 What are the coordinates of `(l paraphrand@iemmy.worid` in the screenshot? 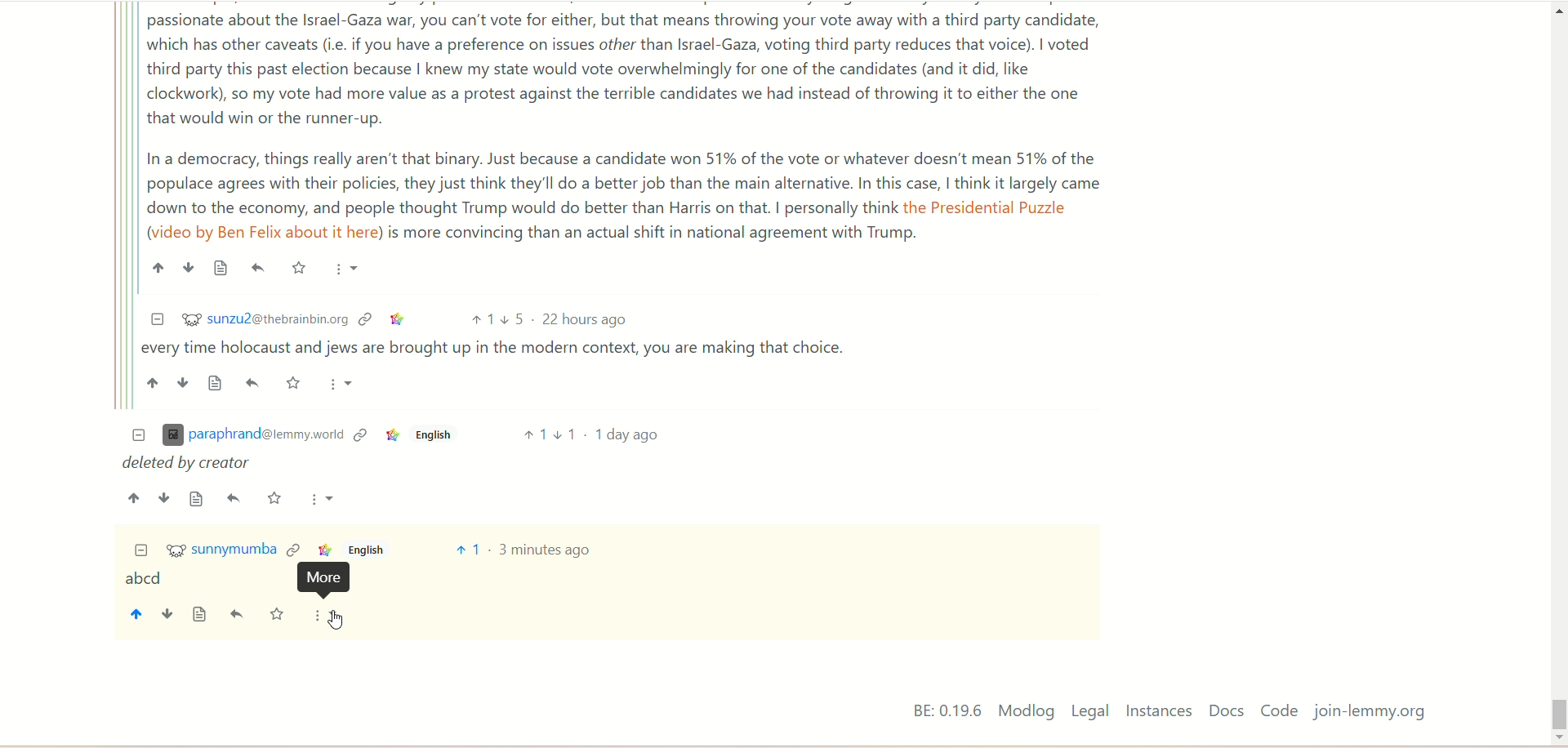 It's located at (252, 436).